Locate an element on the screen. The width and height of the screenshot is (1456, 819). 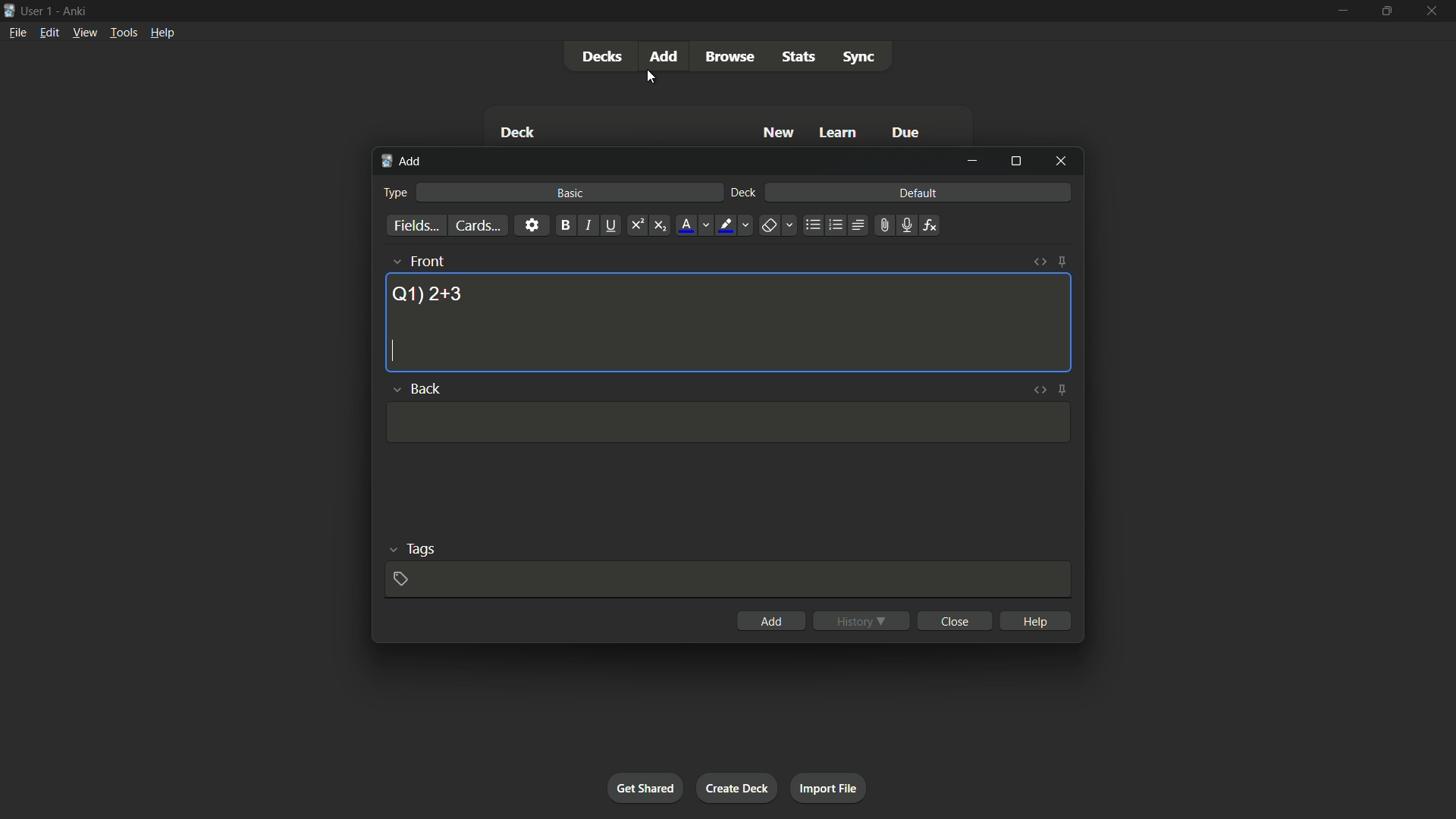
deck is located at coordinates (744, 193).